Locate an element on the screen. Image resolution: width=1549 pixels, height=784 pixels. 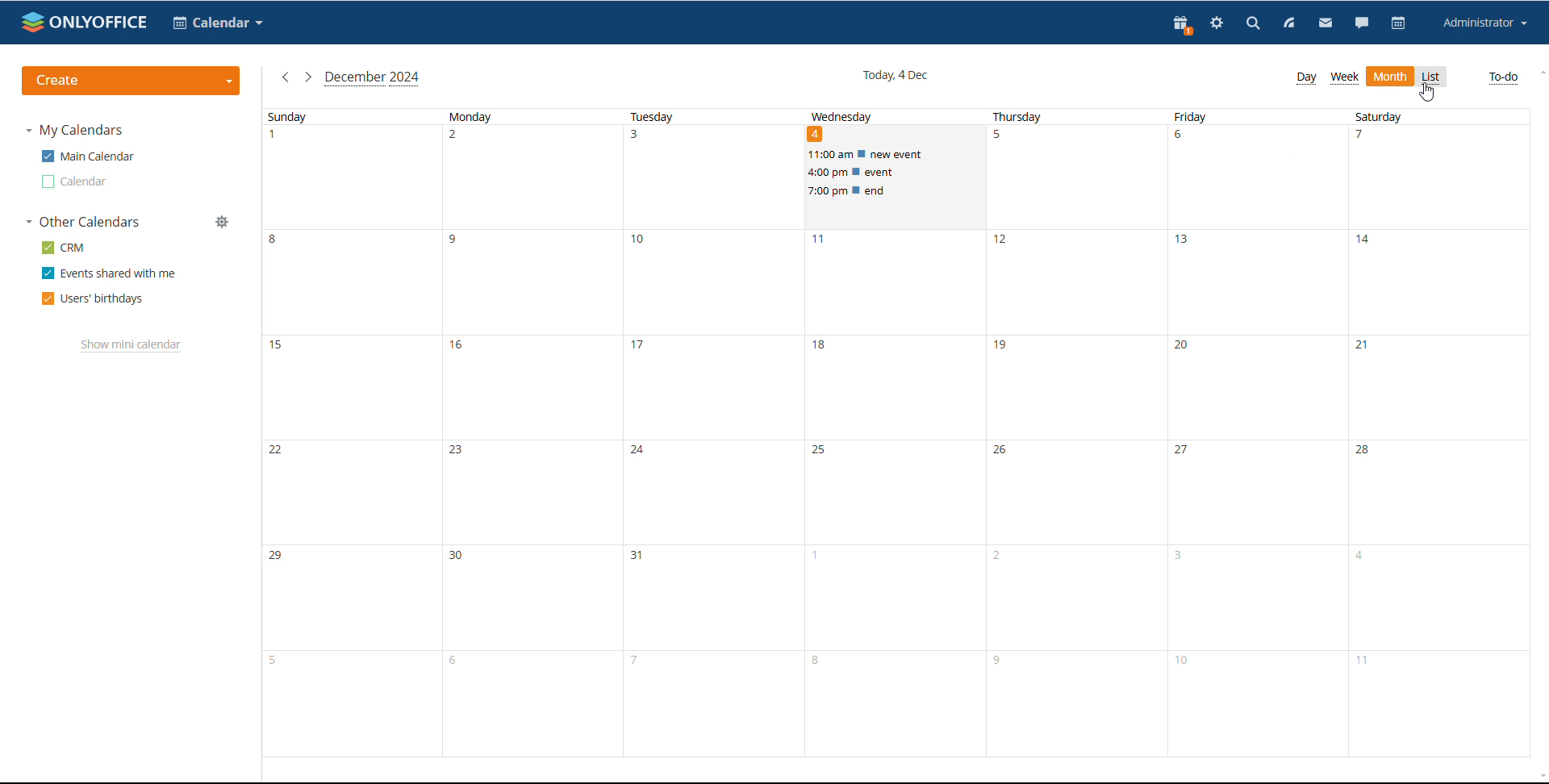
wednesday is located at coordinates (892, 127).